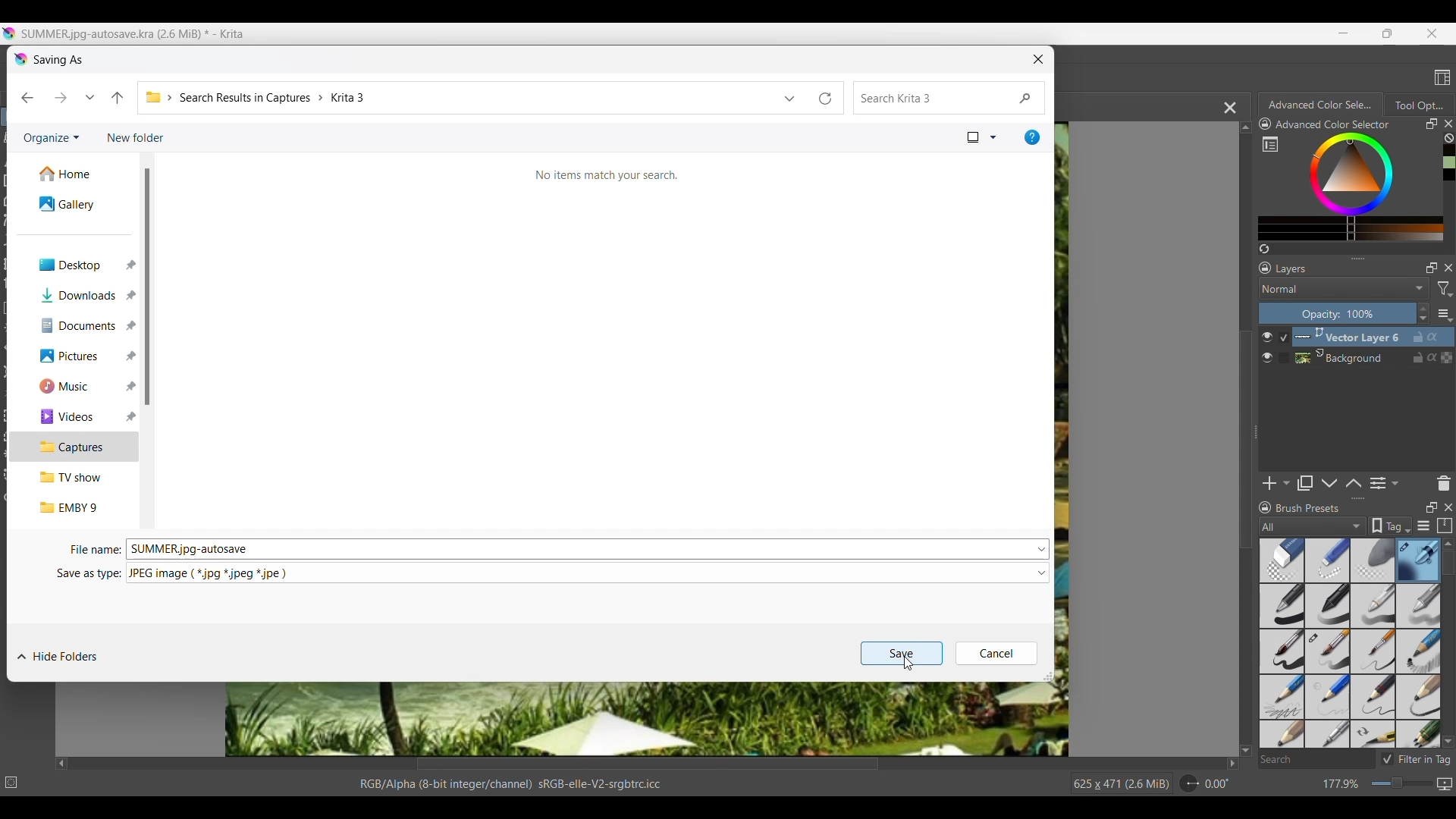 The width and height of the screenshot is (1456, 819). Describe the element at coordinates (1232, 764) in the screenshot. I see `Quick slide to right` at that location.